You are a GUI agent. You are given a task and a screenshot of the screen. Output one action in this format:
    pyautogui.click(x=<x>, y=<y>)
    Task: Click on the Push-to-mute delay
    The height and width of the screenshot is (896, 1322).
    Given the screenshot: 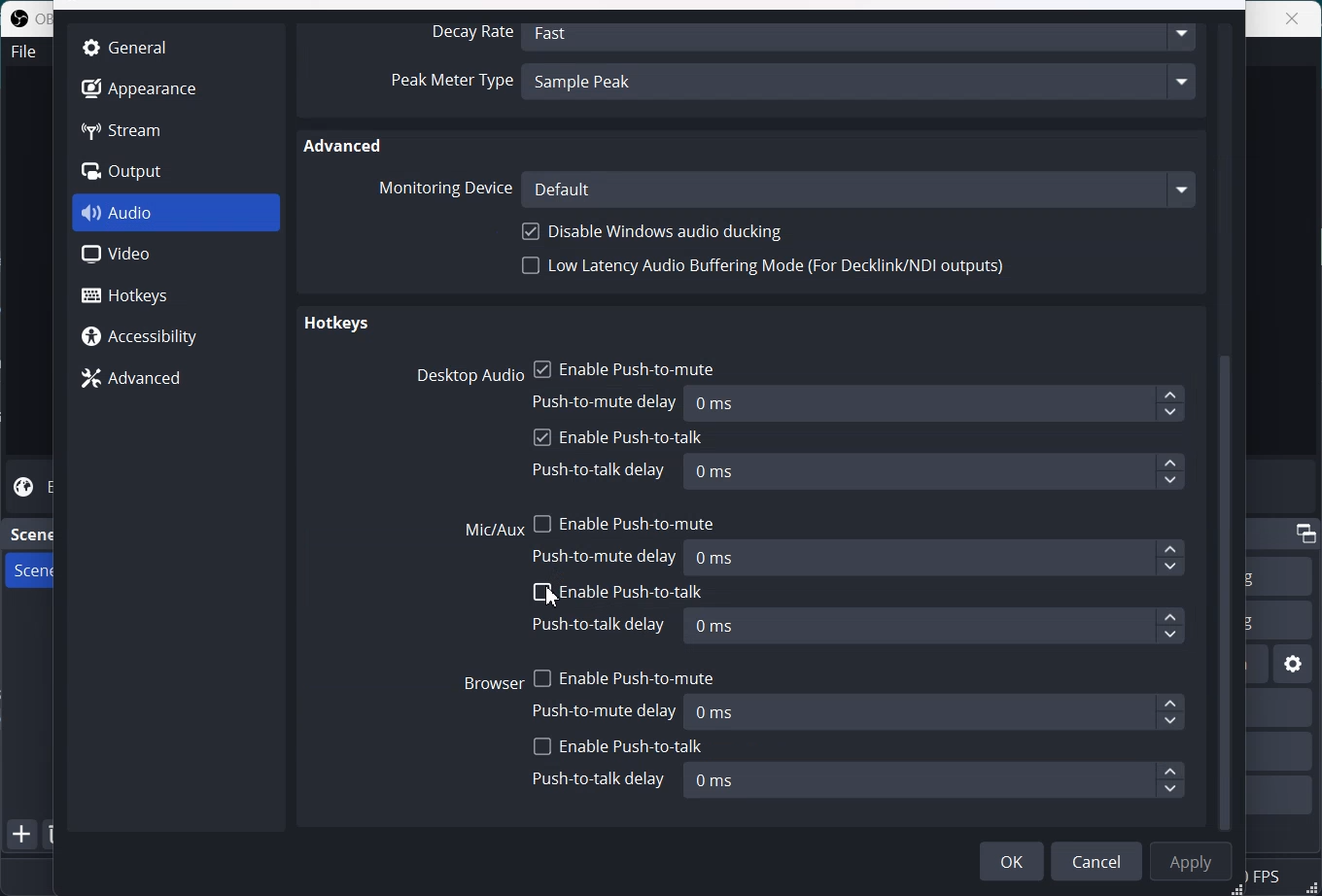 What is the action you would take?
    pyautogui.click(x=607, y=399)
    